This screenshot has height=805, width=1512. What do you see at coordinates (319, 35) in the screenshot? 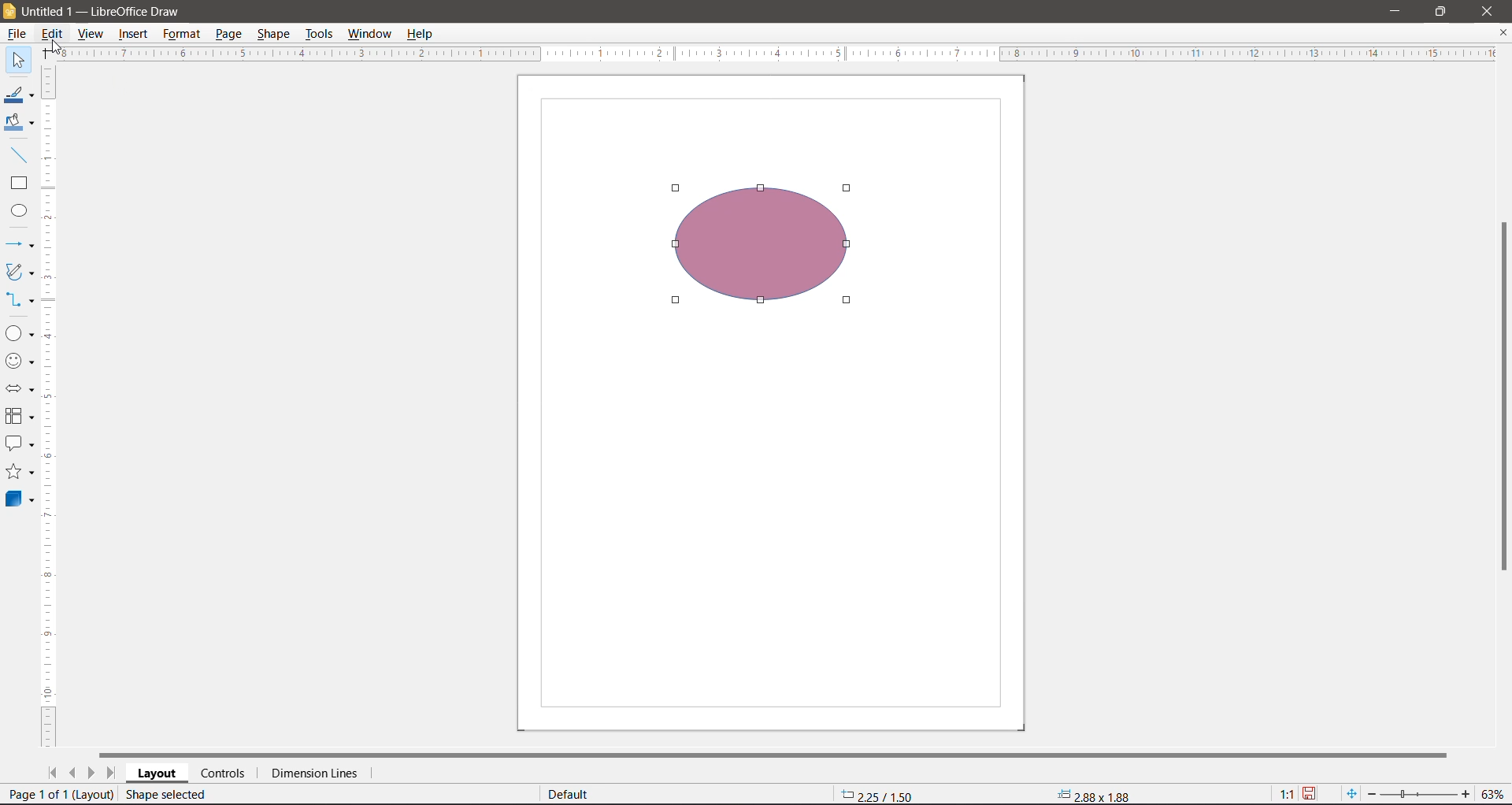
I see `Tools` at bounding box center [319, 35].